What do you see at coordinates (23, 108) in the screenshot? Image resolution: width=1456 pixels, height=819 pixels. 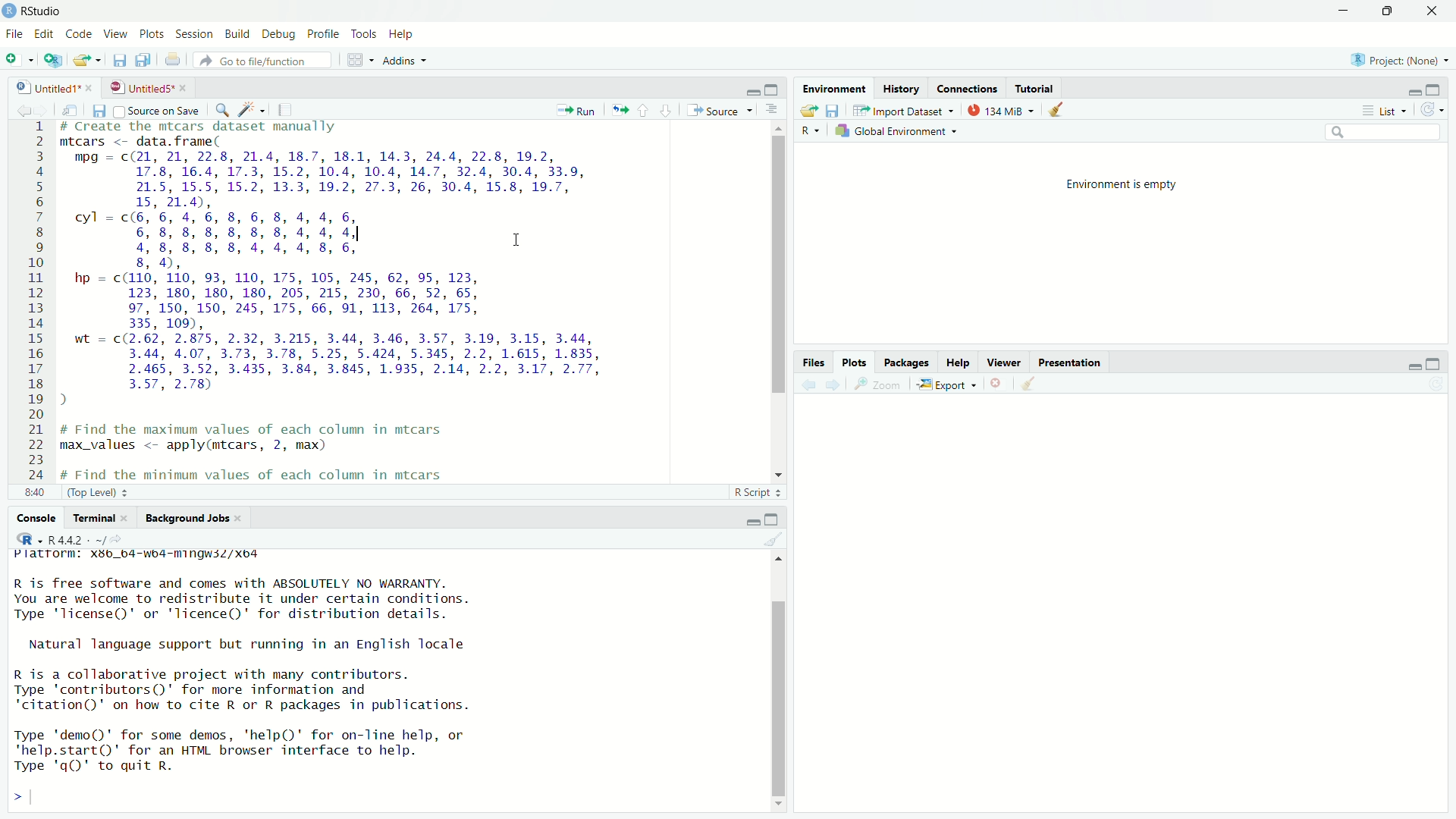 I see `back` at bounding box center [23, 108].